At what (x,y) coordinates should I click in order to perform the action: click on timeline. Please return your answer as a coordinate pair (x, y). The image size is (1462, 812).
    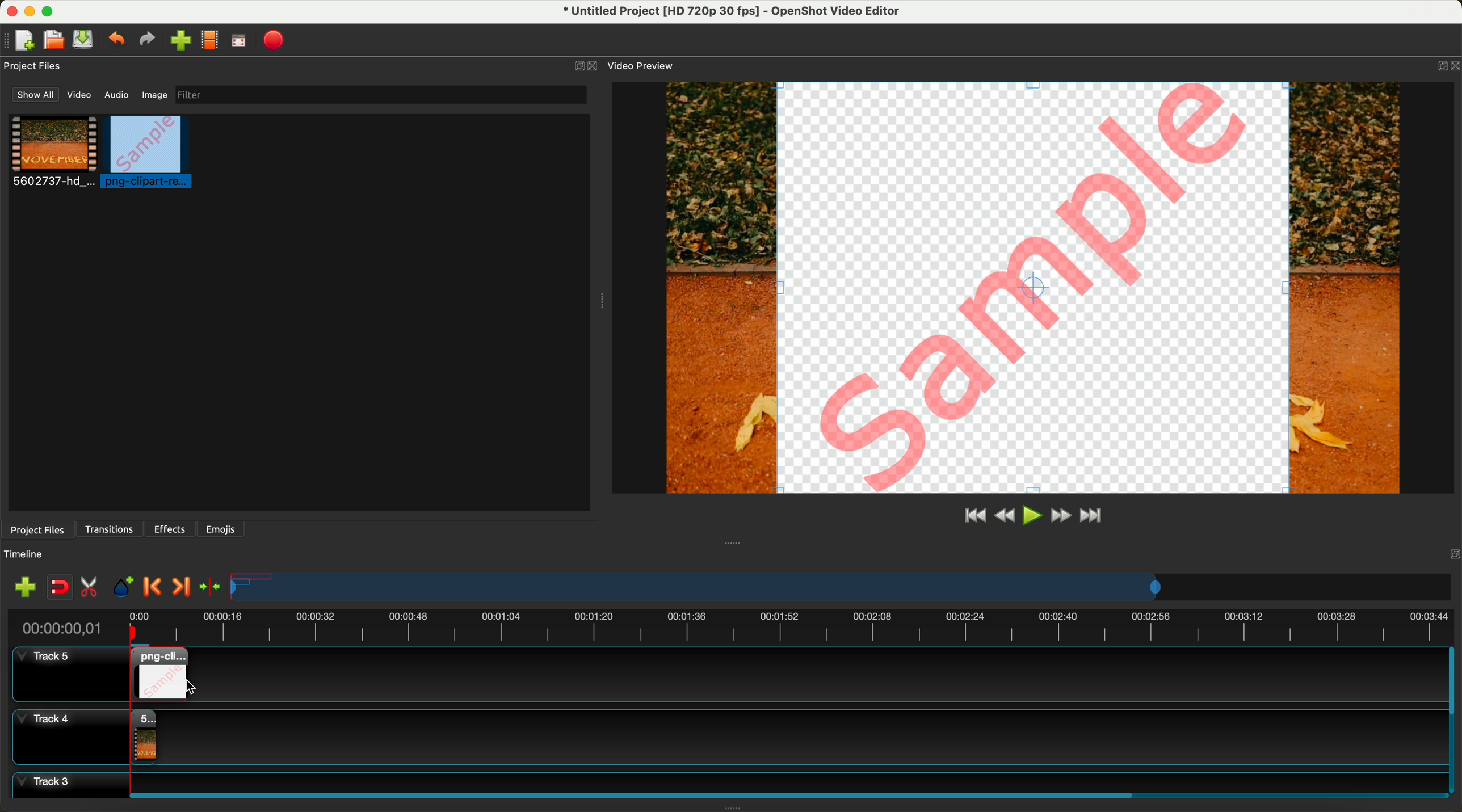
    Looking at the image, I should click on (842, 588).